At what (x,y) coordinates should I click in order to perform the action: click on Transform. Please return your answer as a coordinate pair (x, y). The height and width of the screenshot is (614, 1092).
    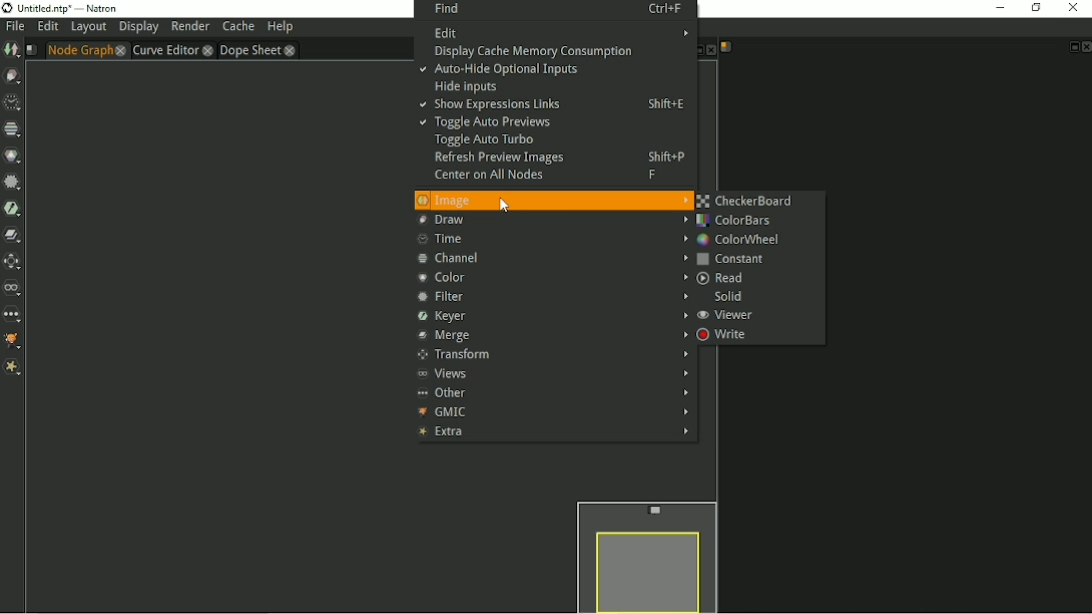
    Looking at the image, I should click on (551, 355).